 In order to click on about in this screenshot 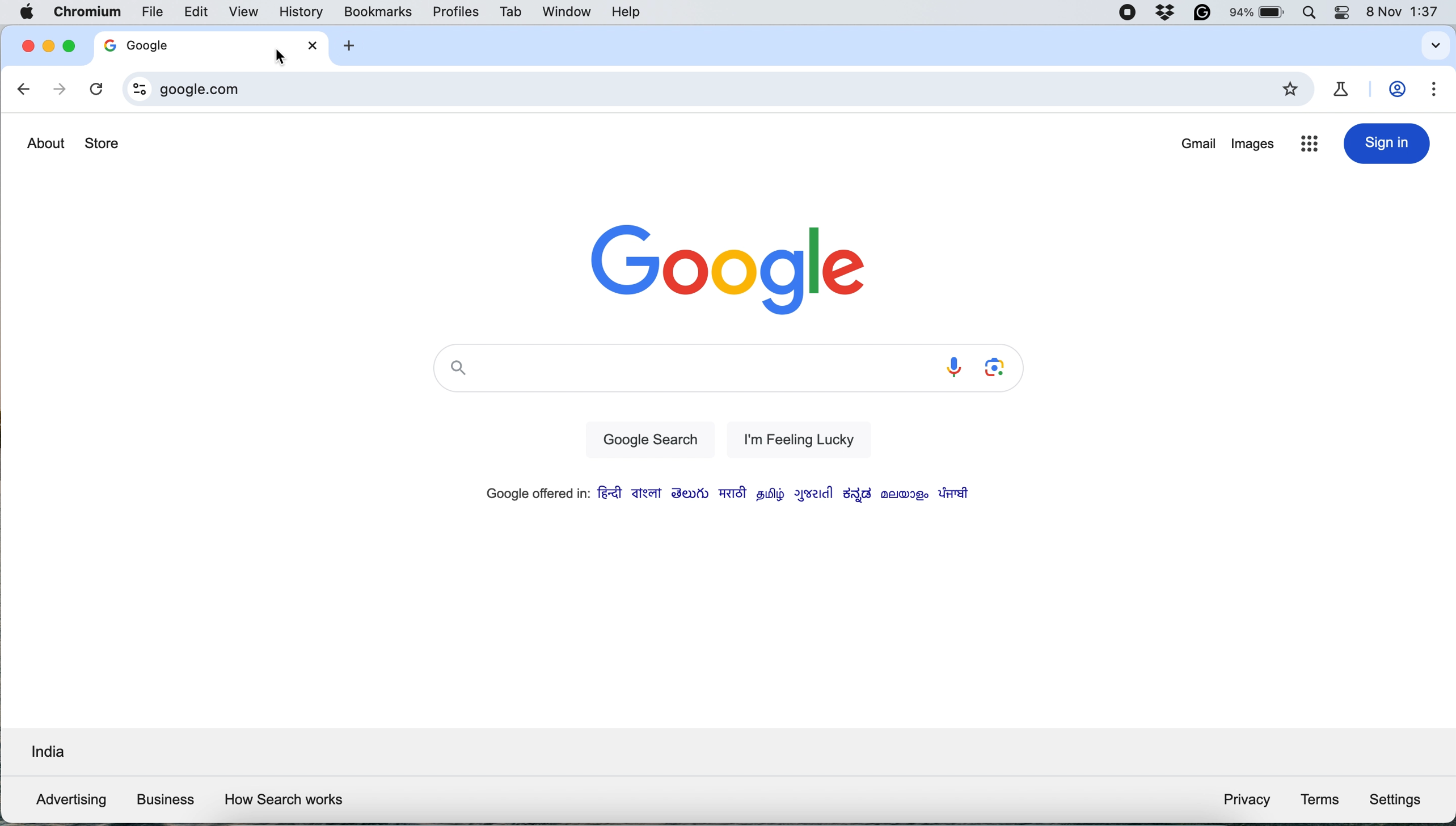, I will do `click(45, 143)`.